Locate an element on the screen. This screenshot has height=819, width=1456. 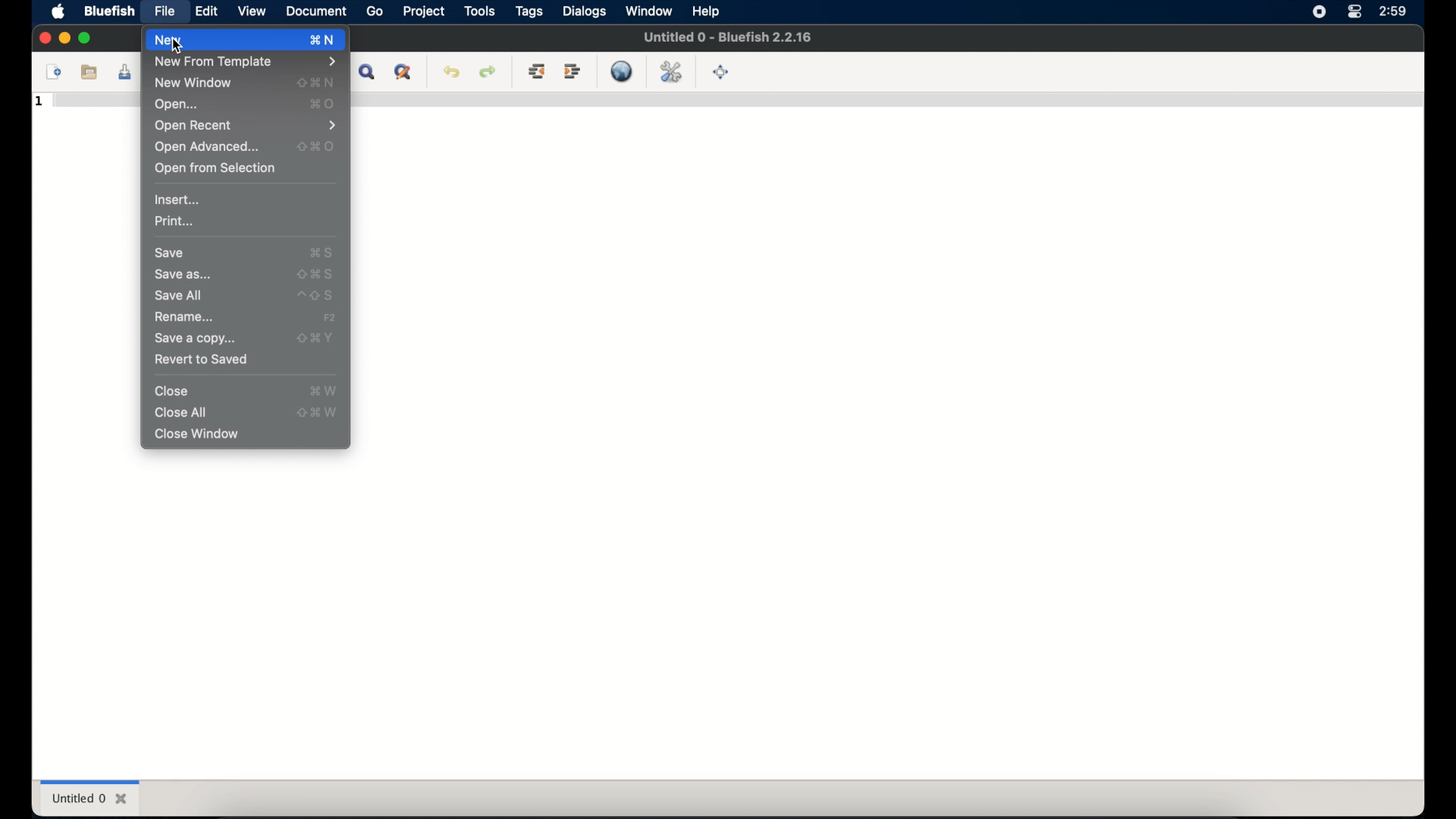
rename shortcut is located at coordinates (331, 318).